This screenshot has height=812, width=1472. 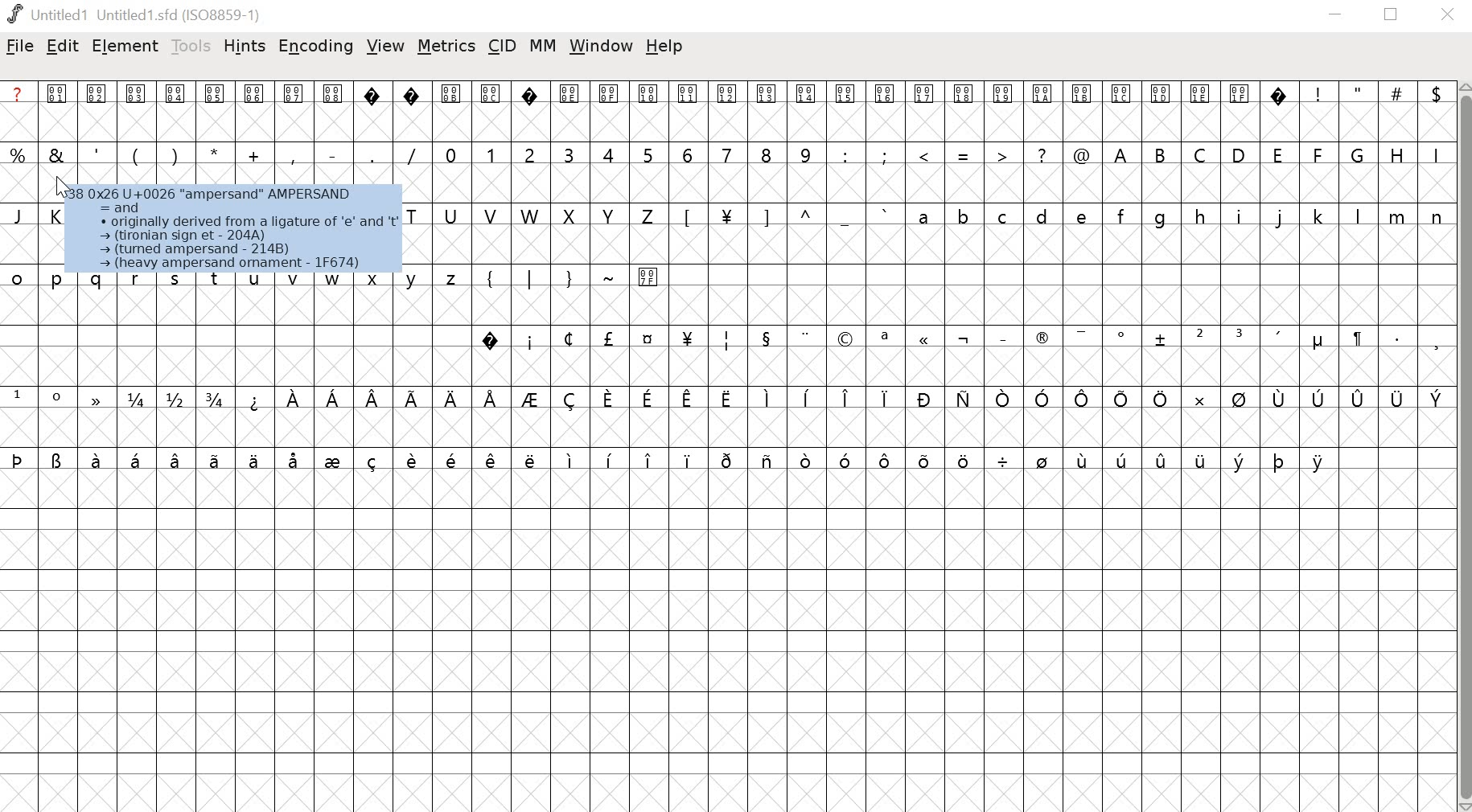 I want to click on U, so click(x=452, y=215).